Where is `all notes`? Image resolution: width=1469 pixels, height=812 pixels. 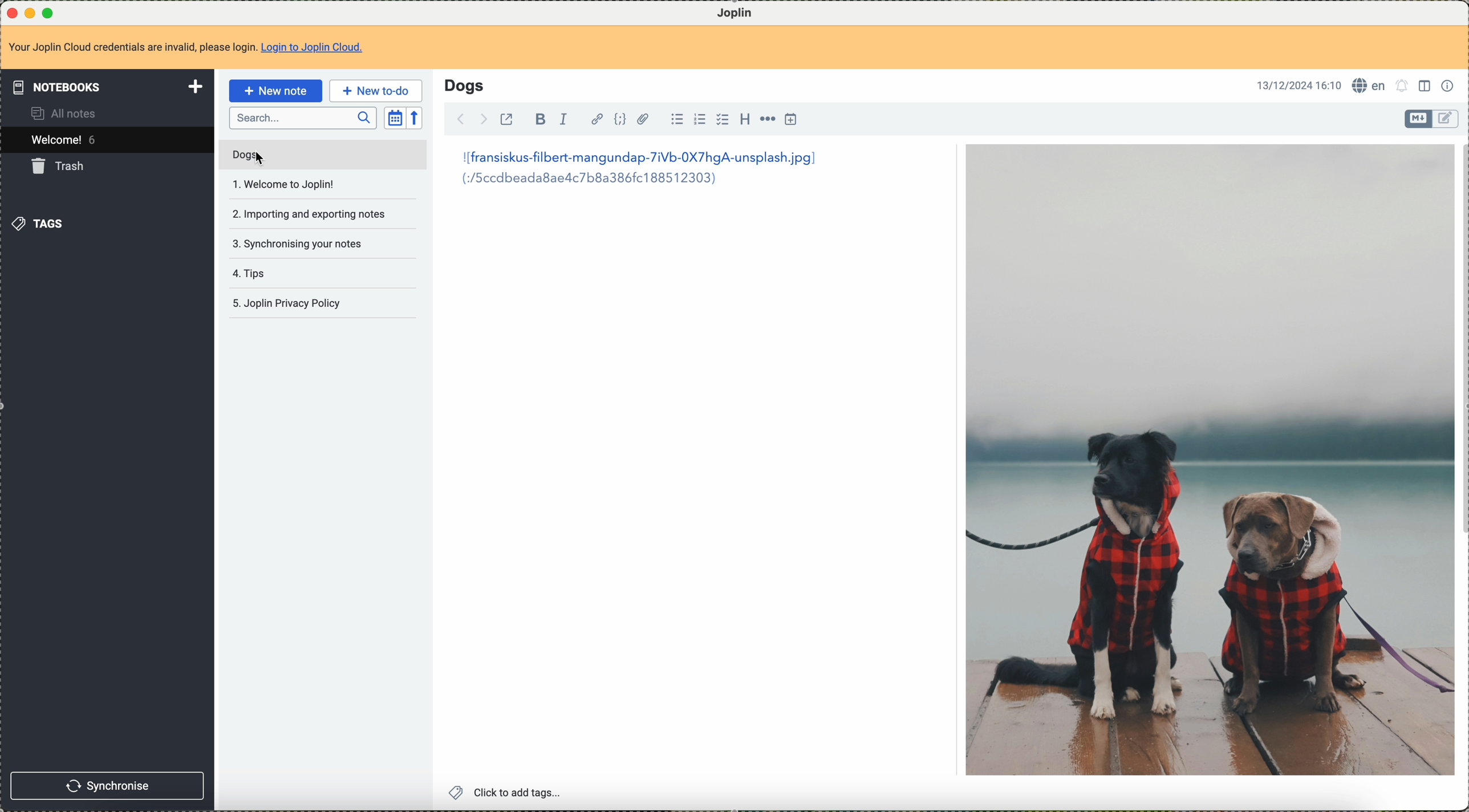 all notes is located at coordinates (66, 113).